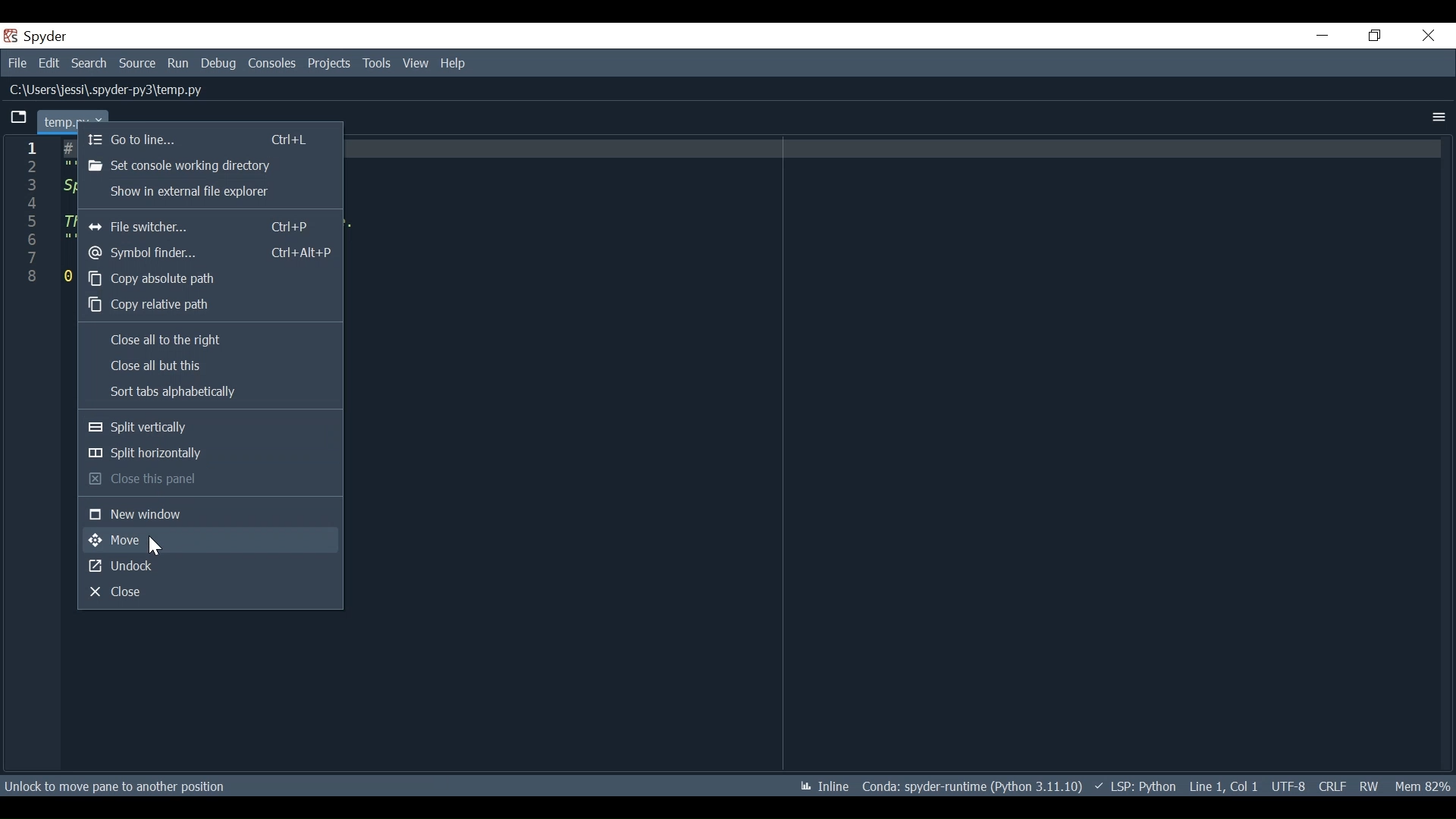 The image size is (1456, 819). I want to click on File Path, so click(105, 89).